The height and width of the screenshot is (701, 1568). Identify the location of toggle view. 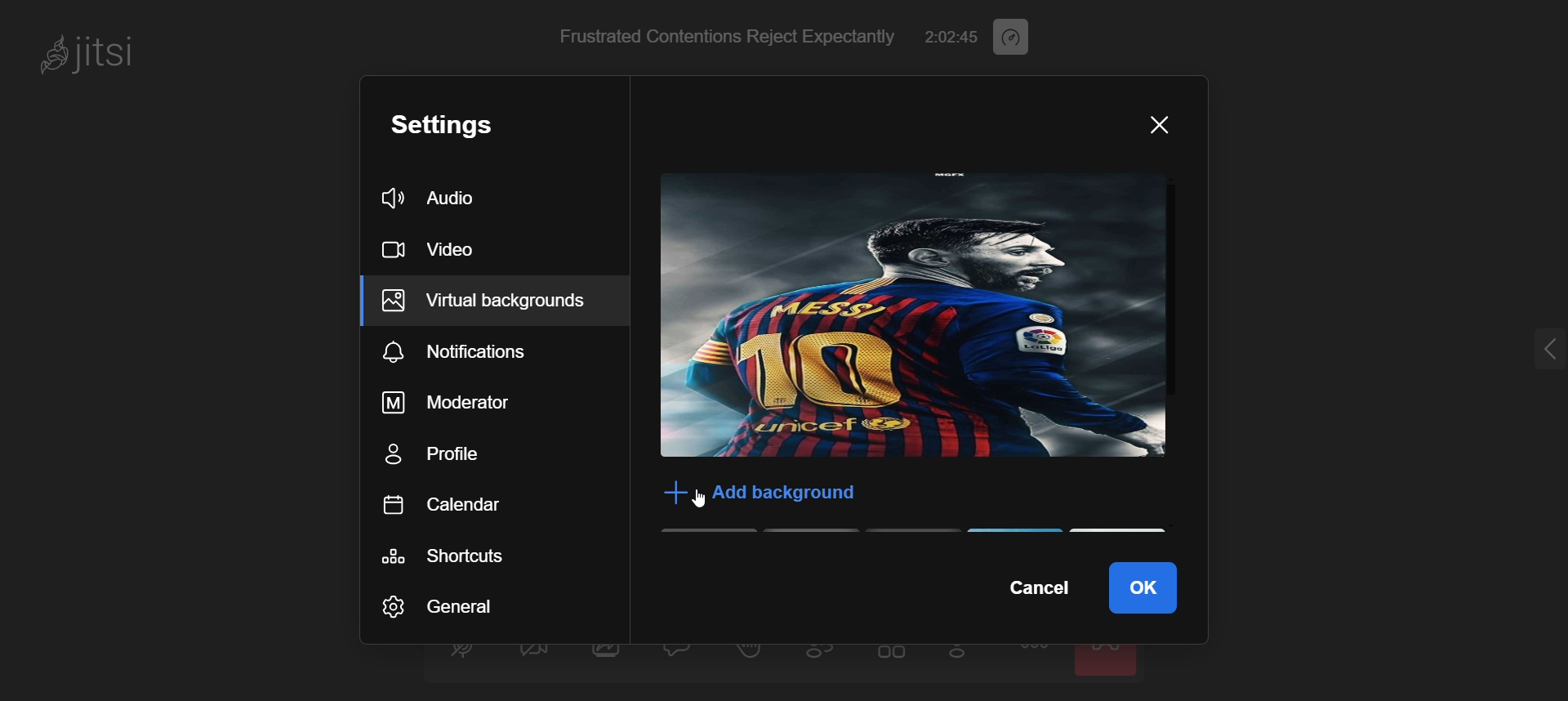
(893, 658).